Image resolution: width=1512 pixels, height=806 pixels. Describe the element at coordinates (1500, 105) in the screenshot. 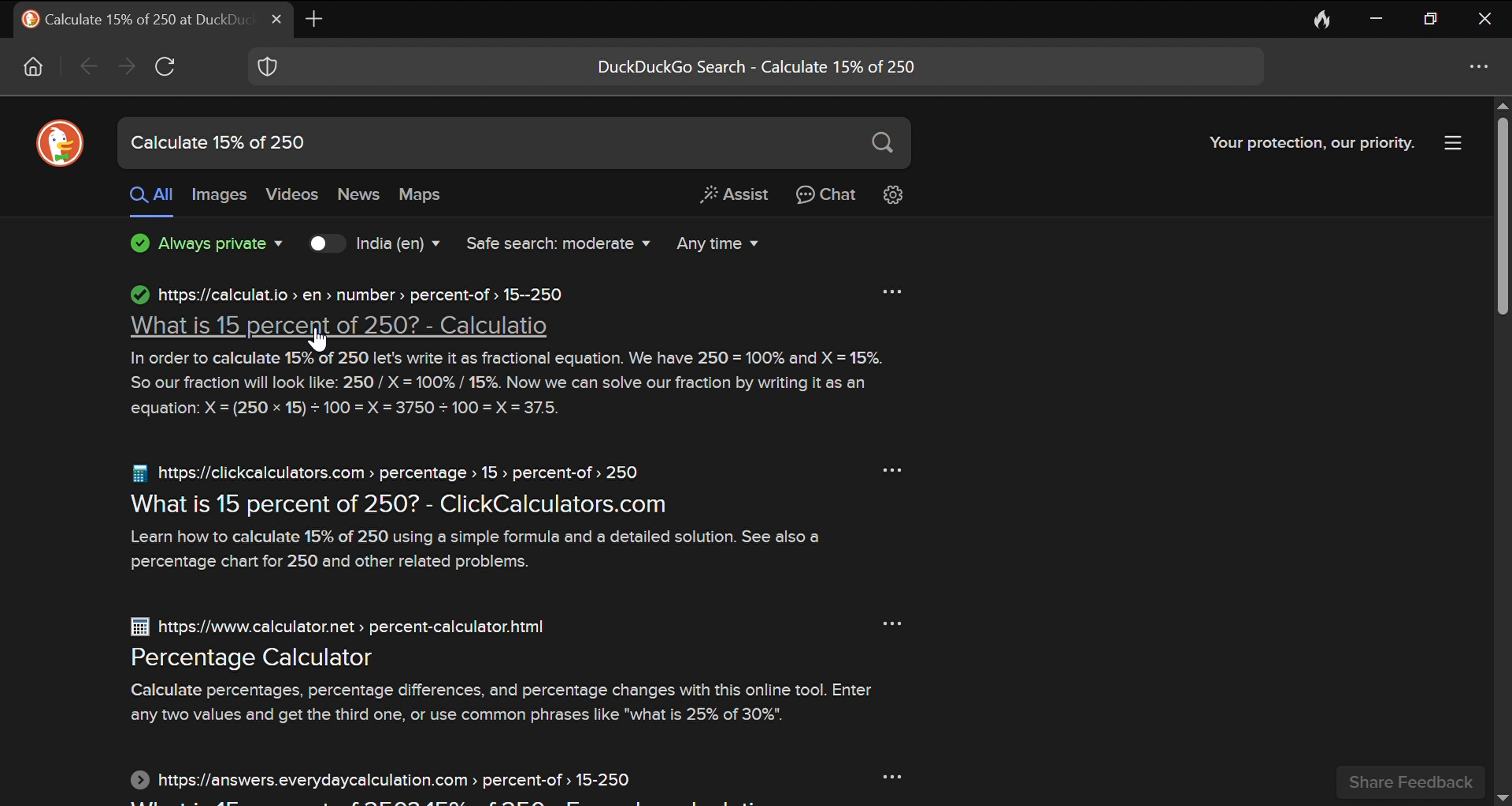

I see `Move the page upwards` at that location.